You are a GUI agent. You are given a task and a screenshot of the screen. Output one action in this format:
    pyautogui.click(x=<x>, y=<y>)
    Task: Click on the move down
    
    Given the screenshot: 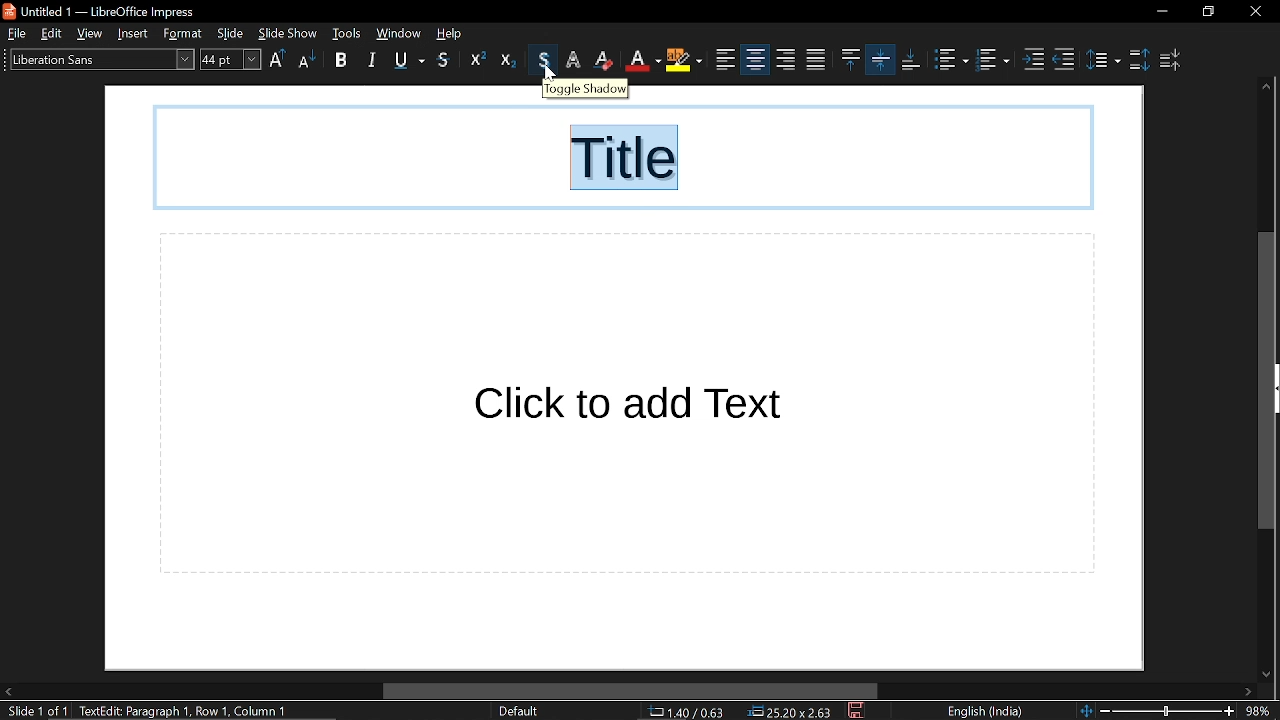 What is the action you would take?
    pyautogui.click(x=1262, y=671)
    